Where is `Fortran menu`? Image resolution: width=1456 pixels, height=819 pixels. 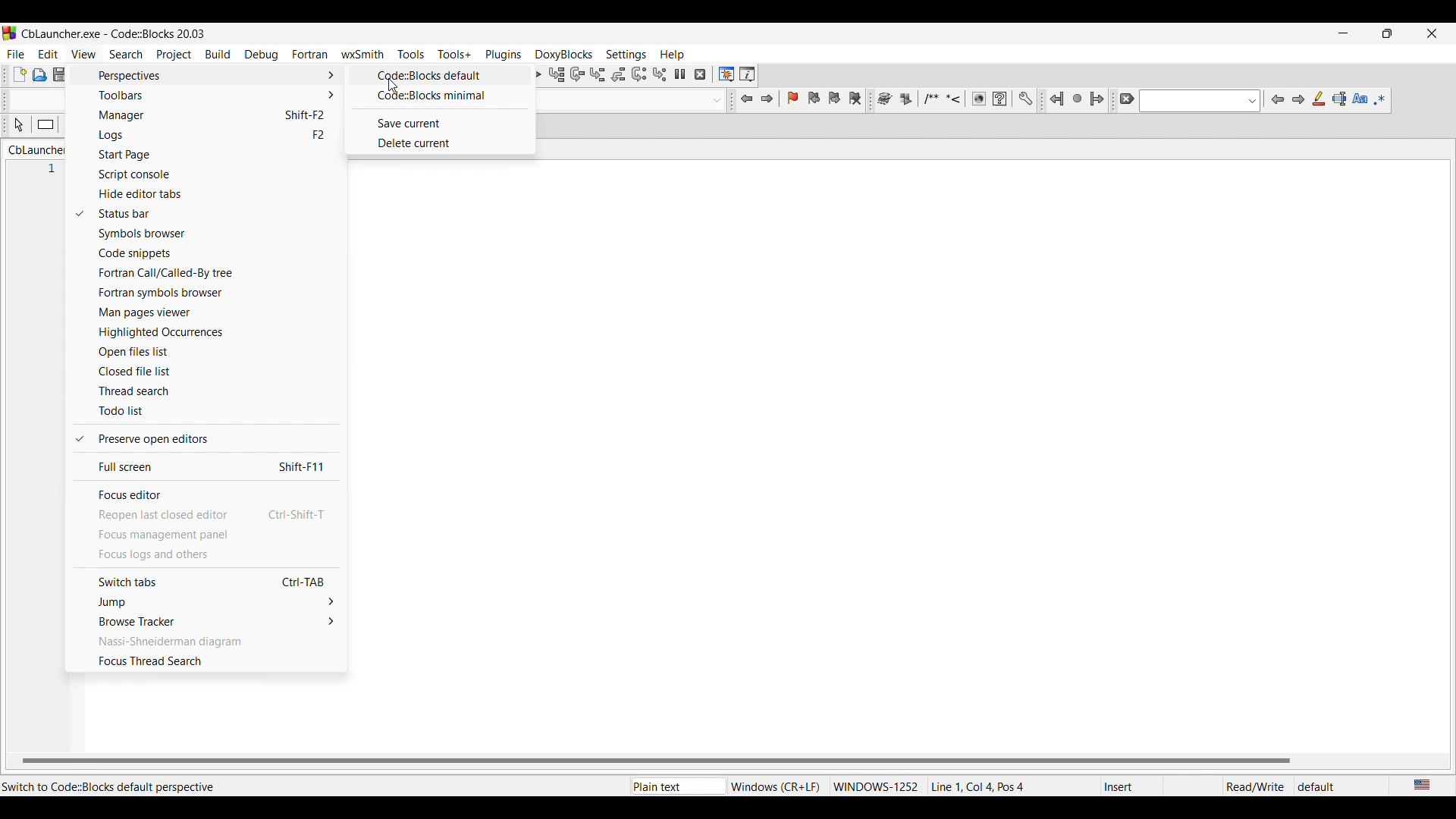
Fortran menu is located at coordinates (310, 55).